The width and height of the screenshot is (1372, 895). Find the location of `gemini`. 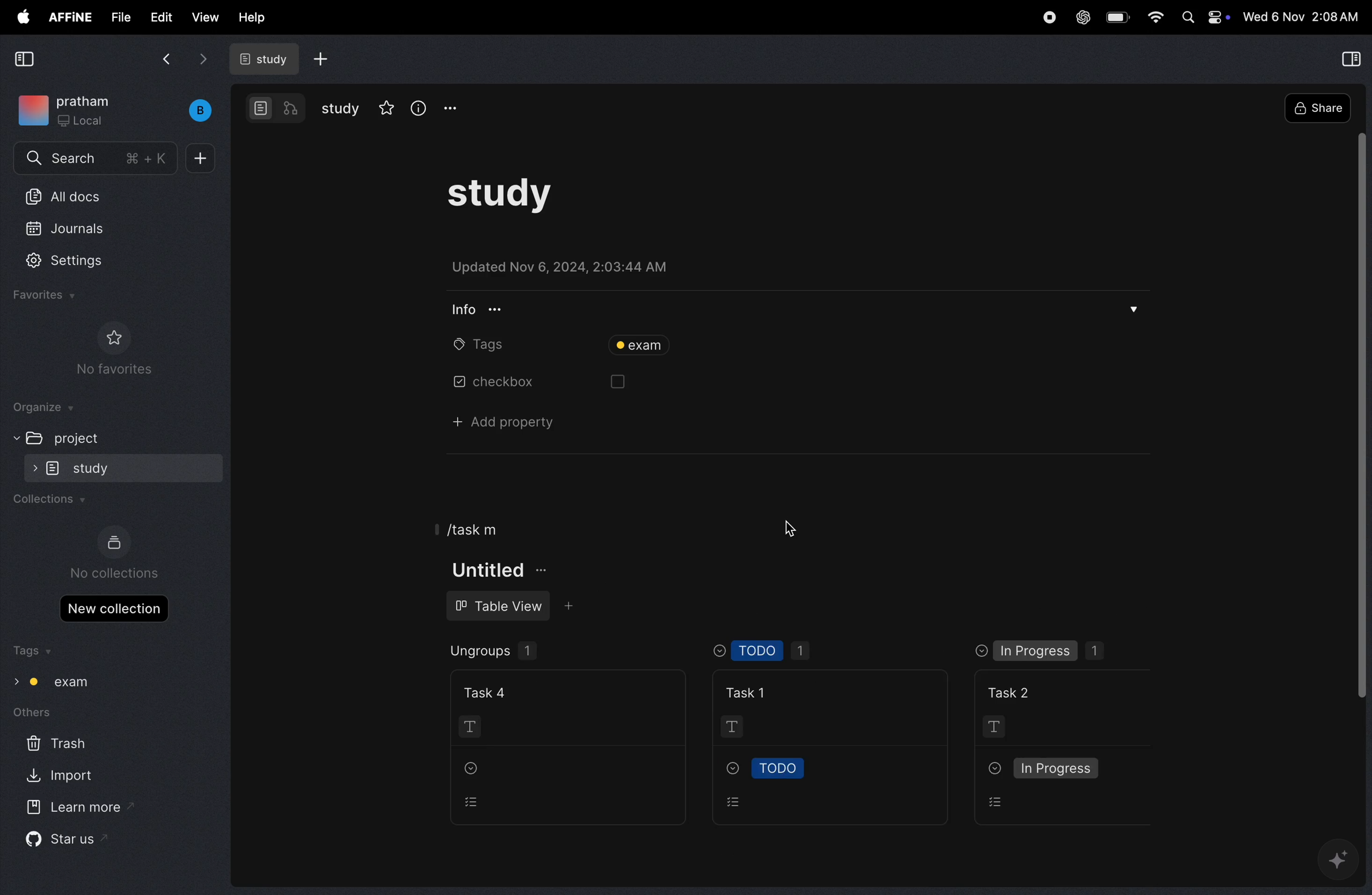

gemini is located at coordinates (1338, 858).